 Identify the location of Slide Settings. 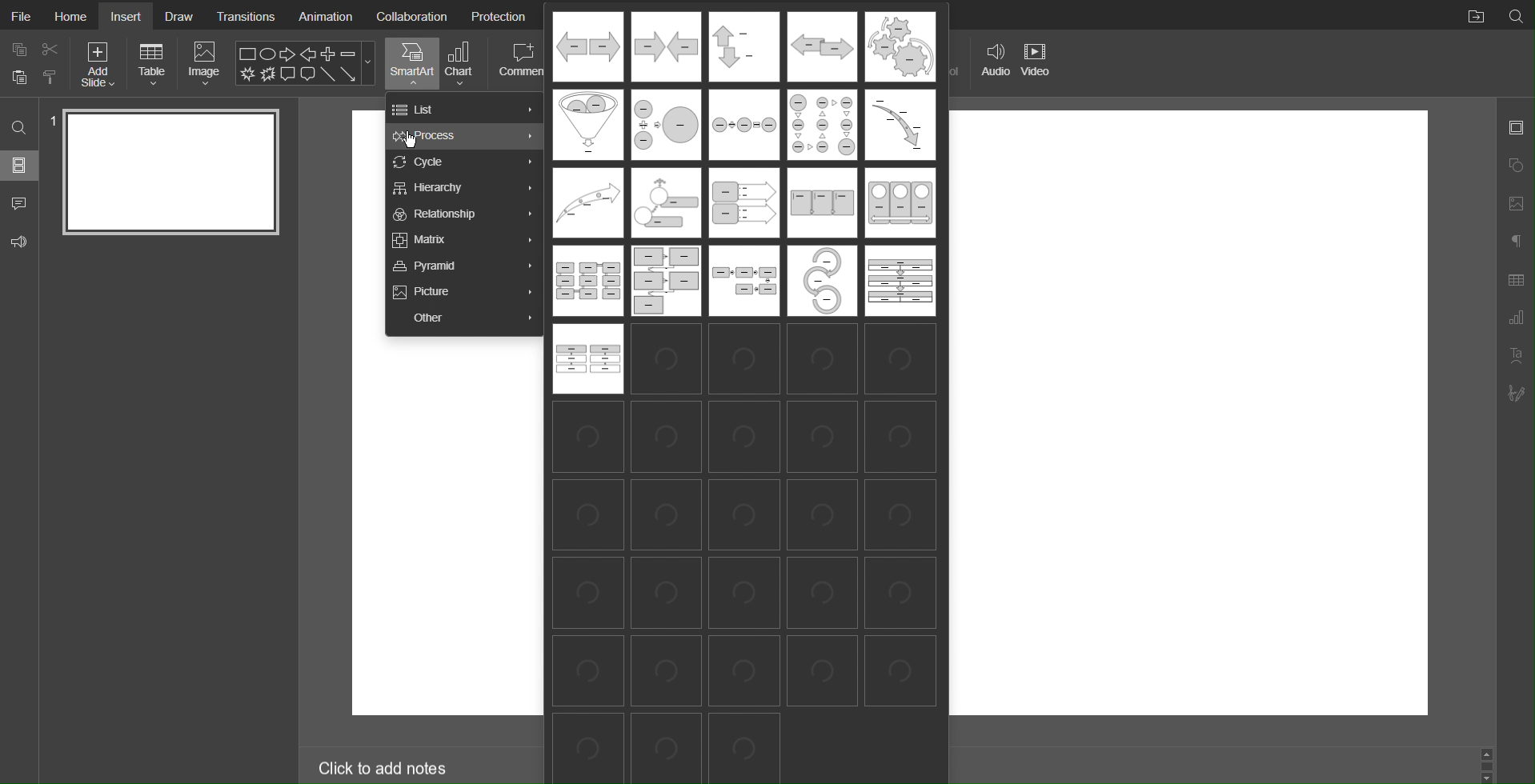
(1517, 128).